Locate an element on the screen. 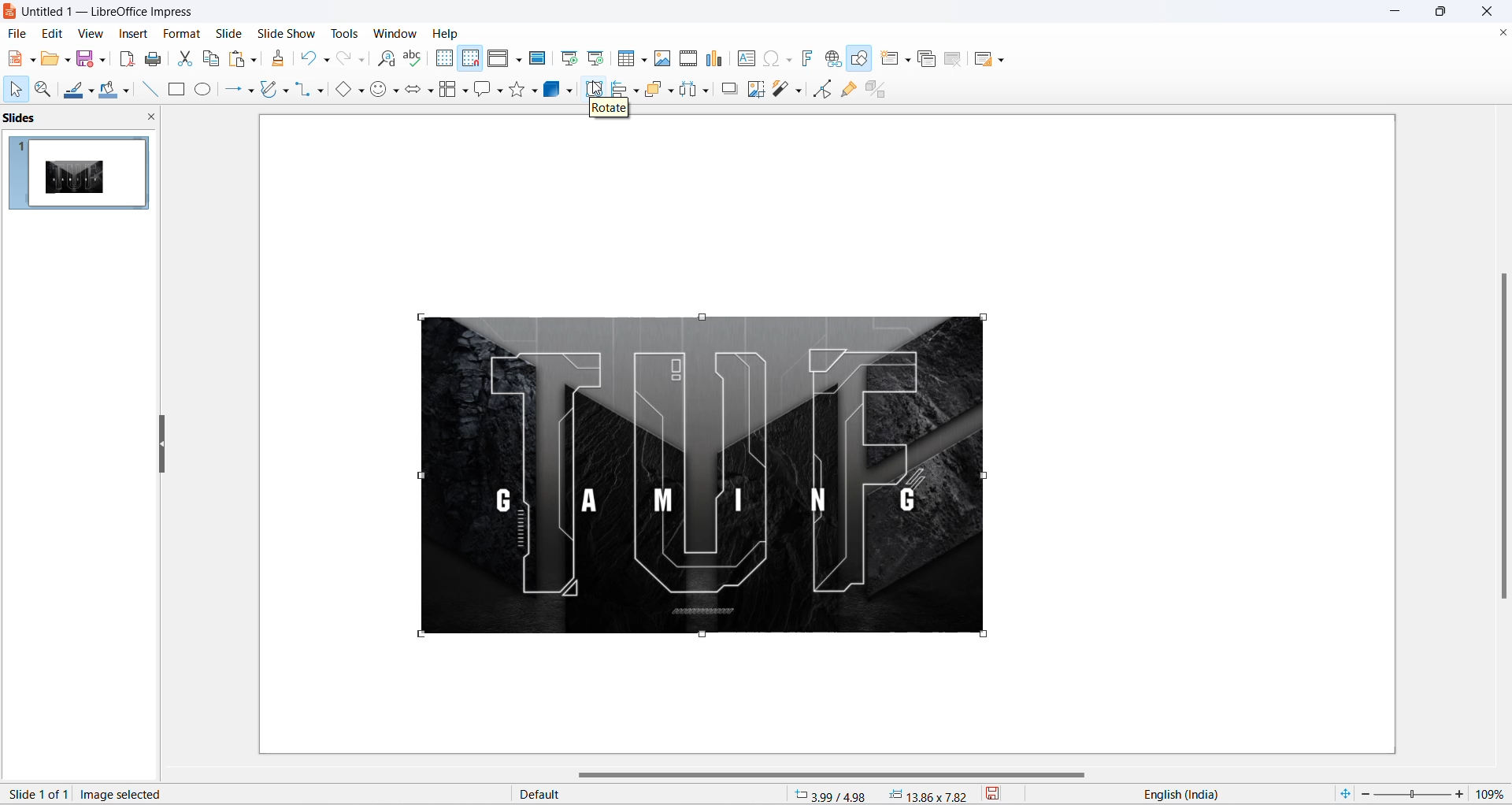  select is located at coordinates (13, 91).